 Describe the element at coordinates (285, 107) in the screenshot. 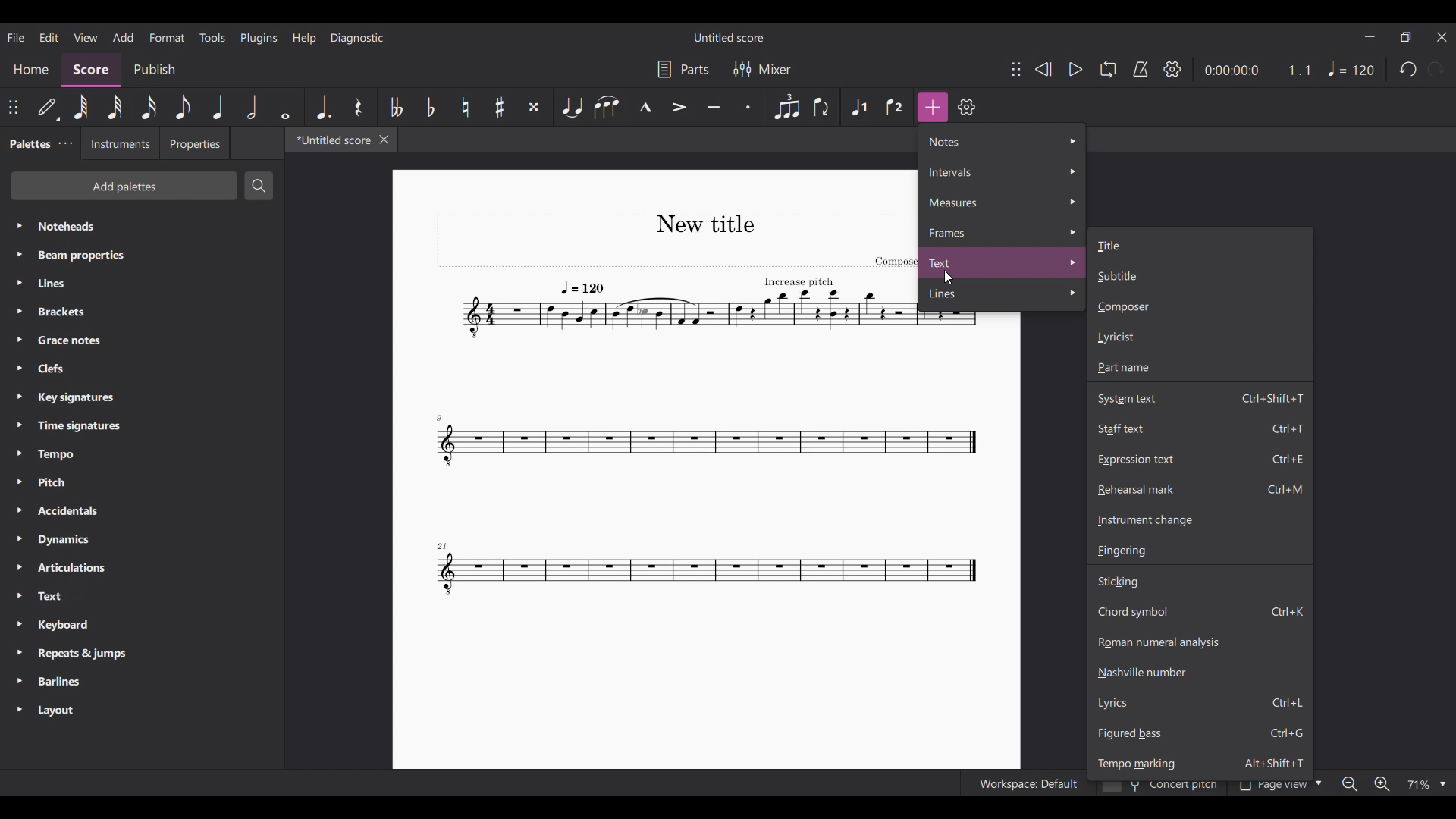

I see `Whole note` at that location.